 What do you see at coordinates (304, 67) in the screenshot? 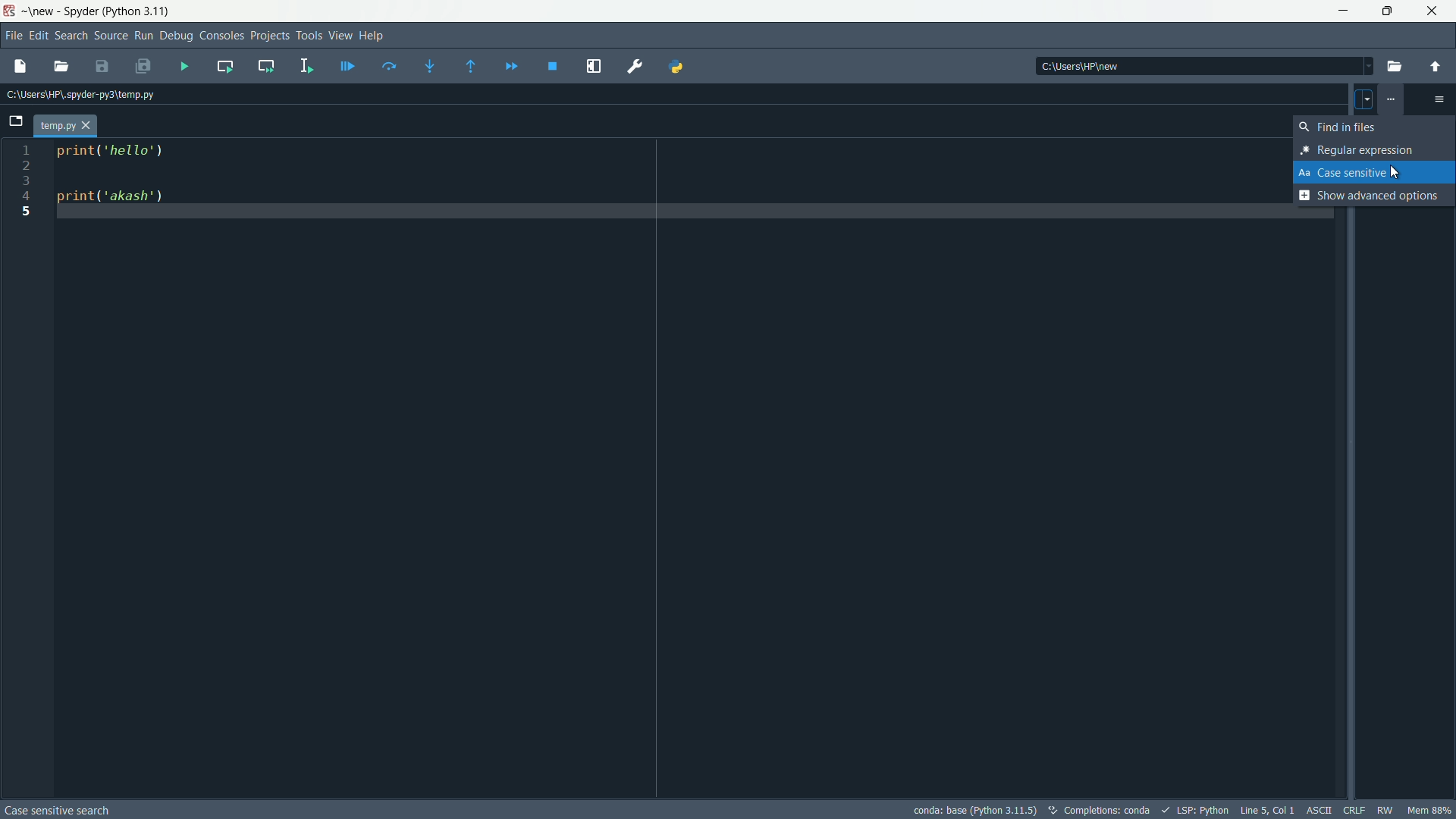
I see `run selection` at bounding box center [304, 67].